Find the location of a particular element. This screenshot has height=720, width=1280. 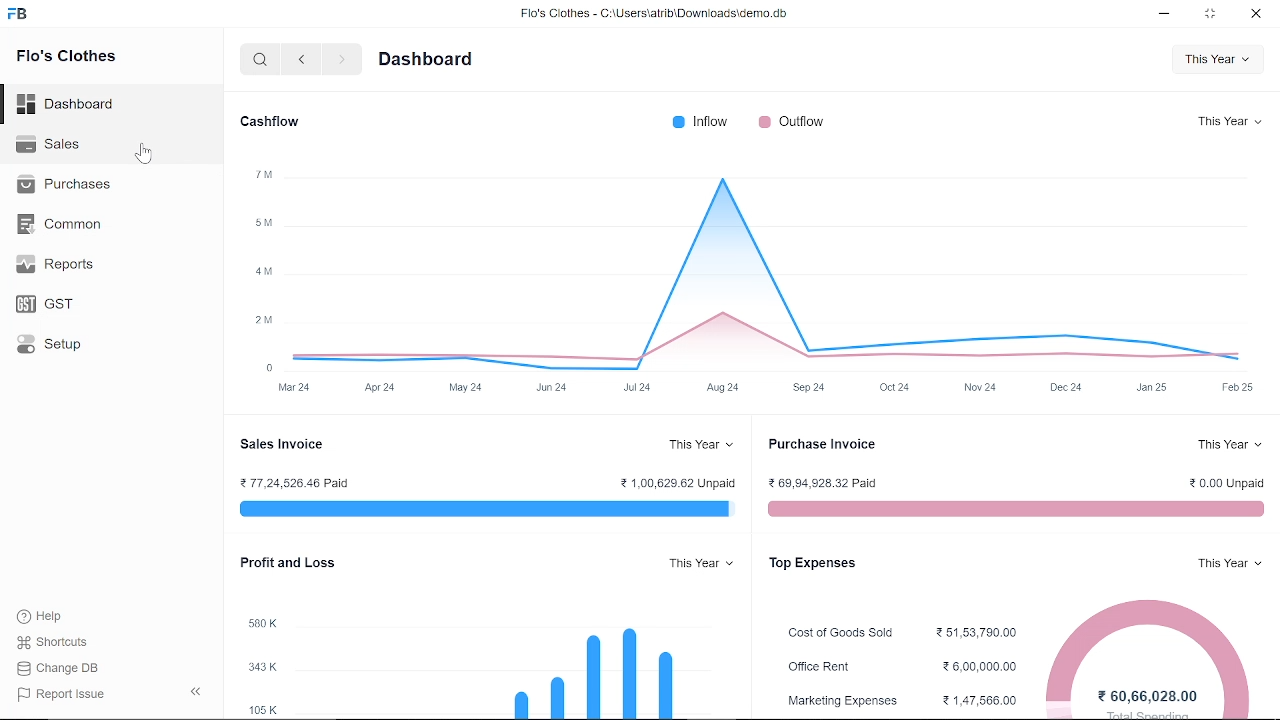

This year is located at coordinates (1230, 121).